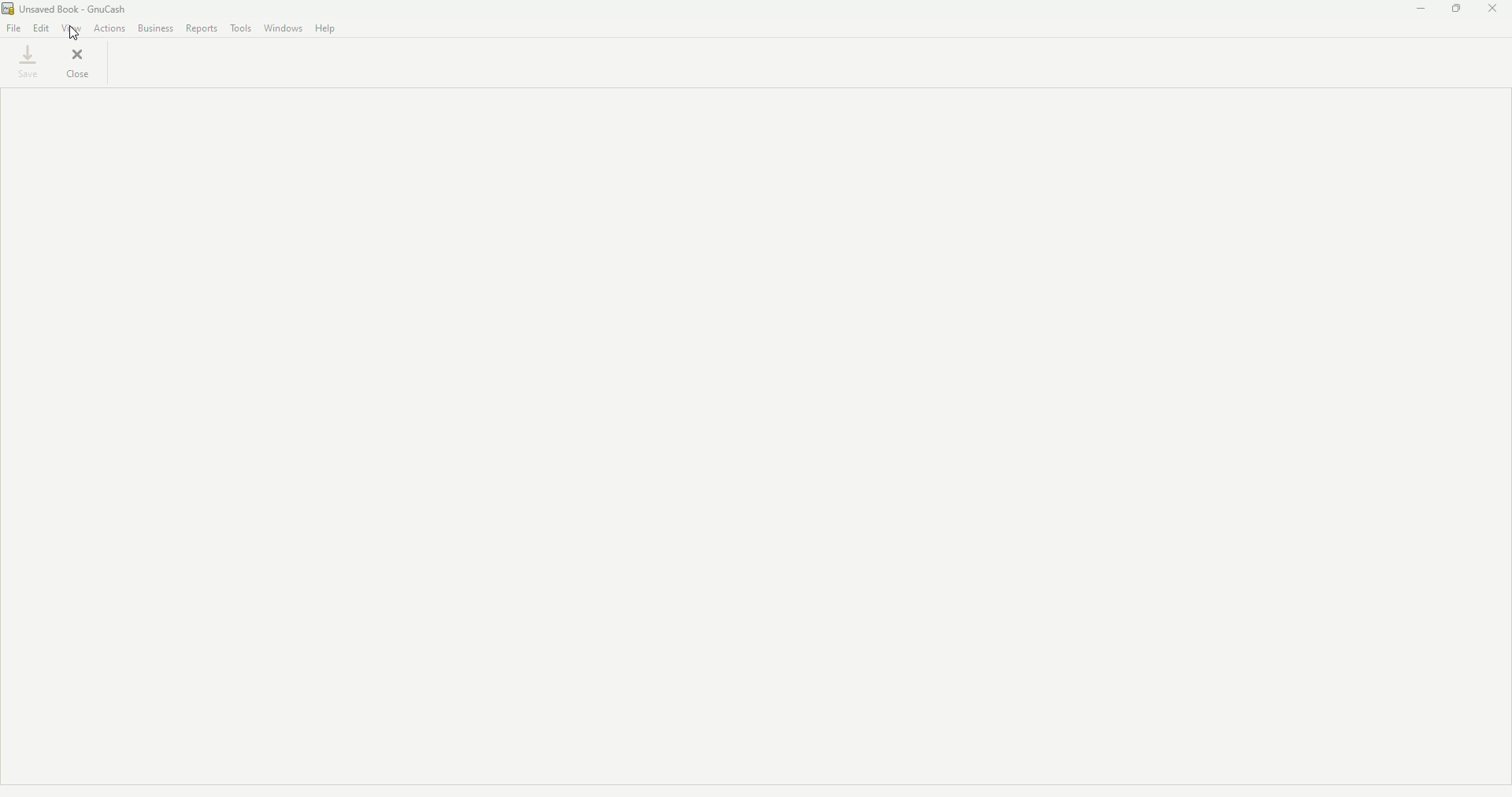 Image resolution: width=1512 pixels, height=797 pixels. Describe the element at coordinates (40, 28) in the screenshot. I see `Edit` at that location.